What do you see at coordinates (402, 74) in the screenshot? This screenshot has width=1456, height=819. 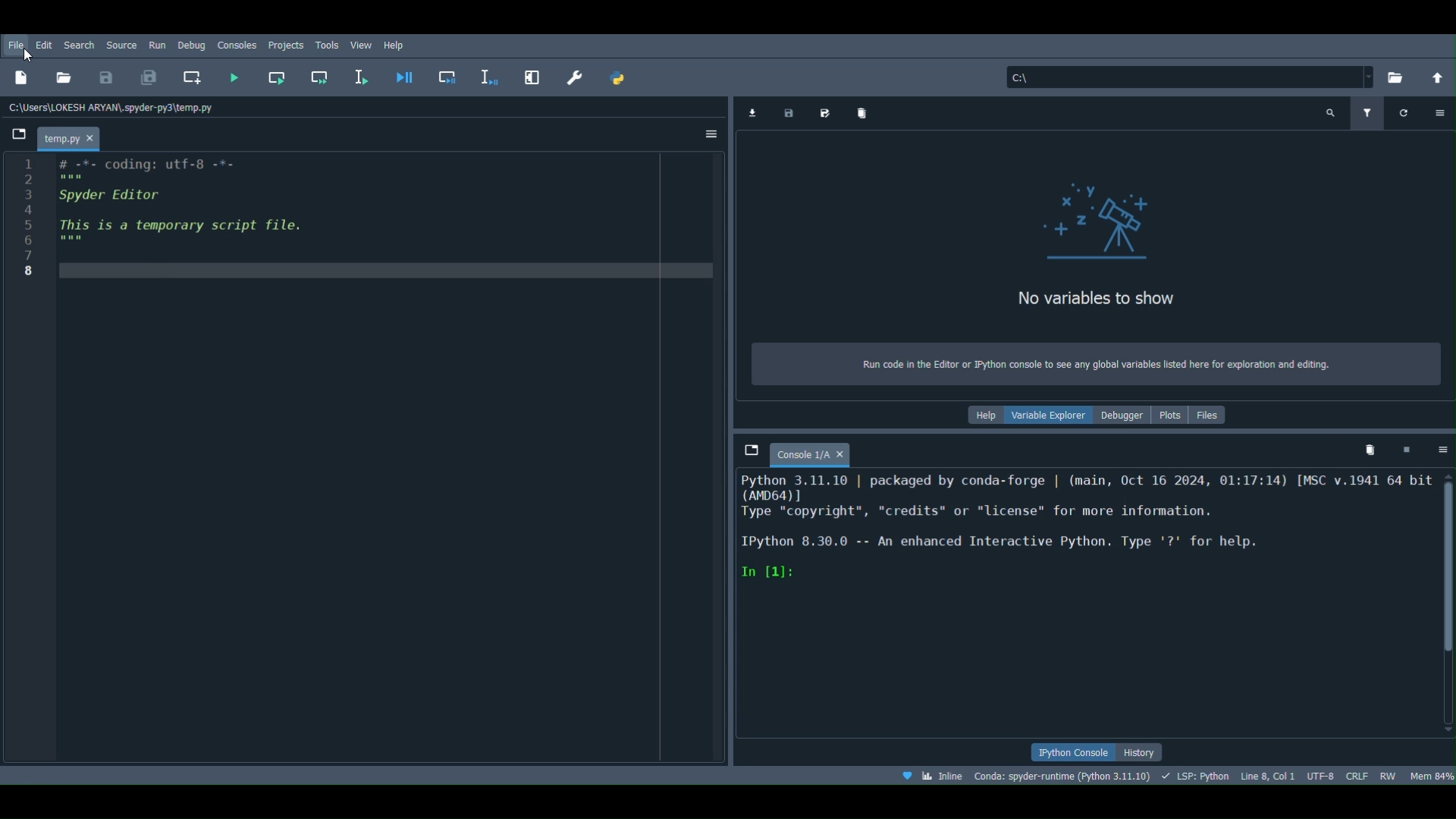 I see `Debug file (Ctrl + F5)` at bounding box center [402, 74].